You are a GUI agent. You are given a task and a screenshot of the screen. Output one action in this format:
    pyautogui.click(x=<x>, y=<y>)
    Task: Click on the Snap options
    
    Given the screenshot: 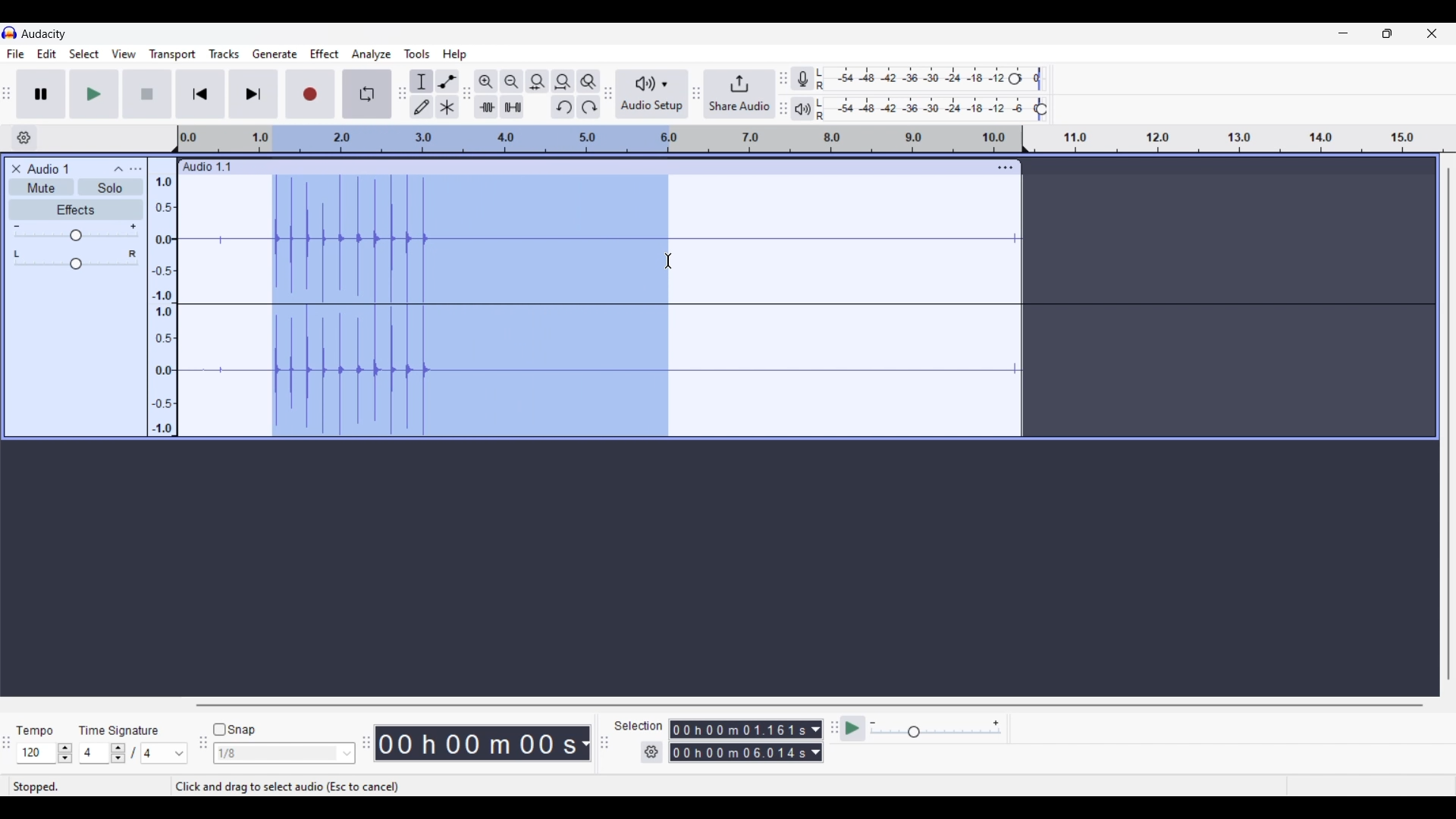 What is the action you would take?
    pyautogui.click(x=347, y=754)
    